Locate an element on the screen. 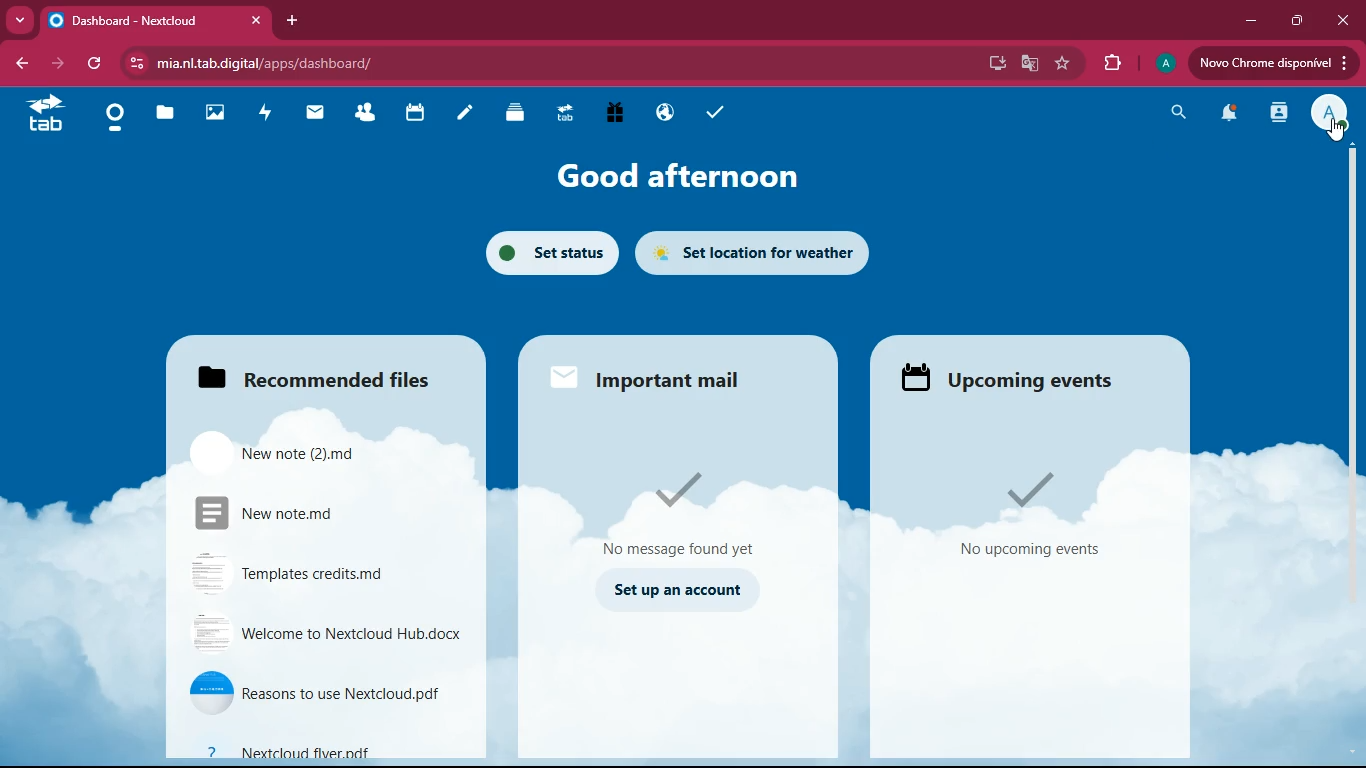 This screenshot has width=1366, height=768. good afternoon is located at coordinates (709, 178).